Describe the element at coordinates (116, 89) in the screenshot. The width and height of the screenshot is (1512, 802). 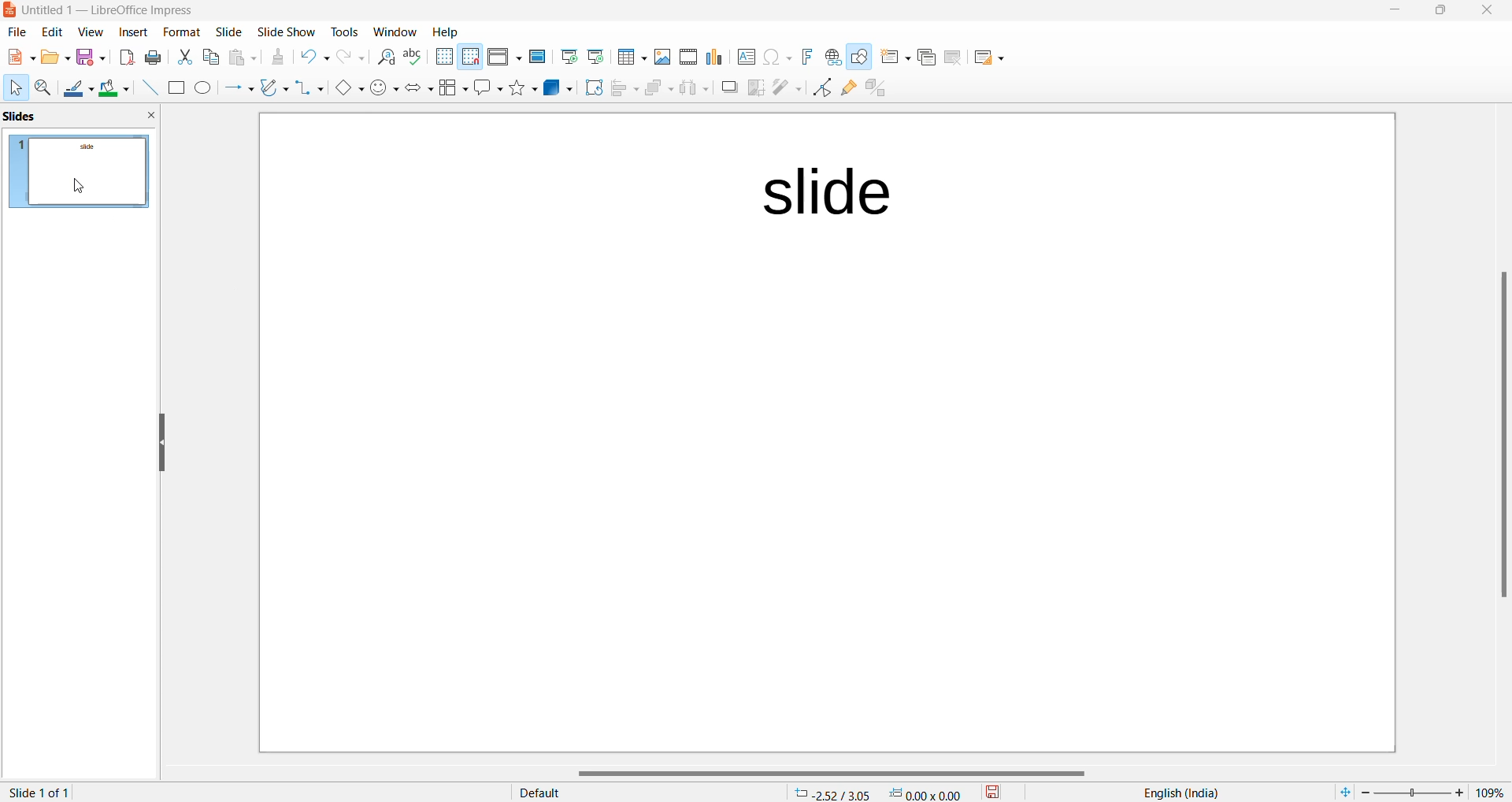
I see `fill color ` at that location.